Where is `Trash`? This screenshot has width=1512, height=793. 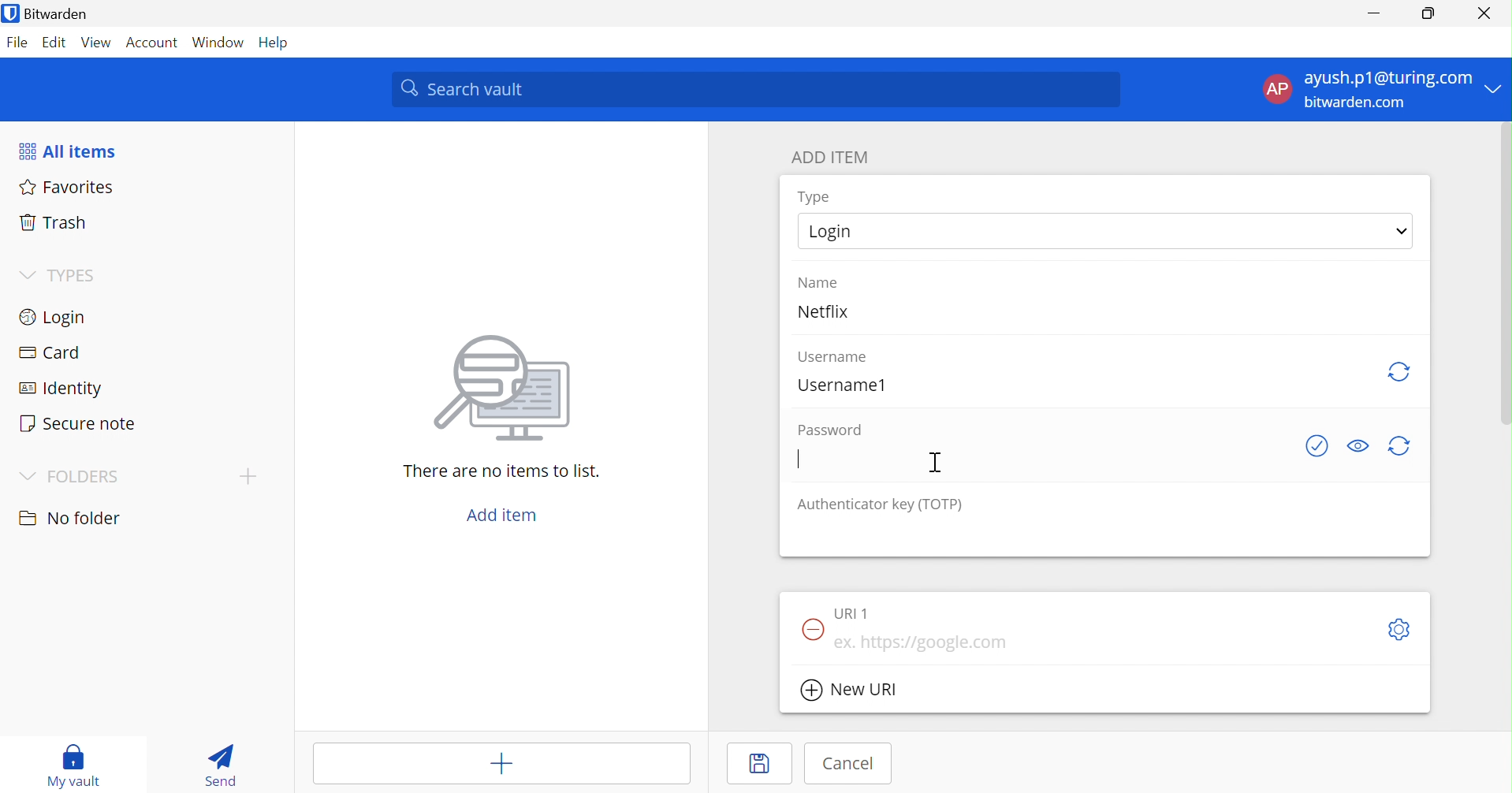
Trash is located at coordinates (52, 222).